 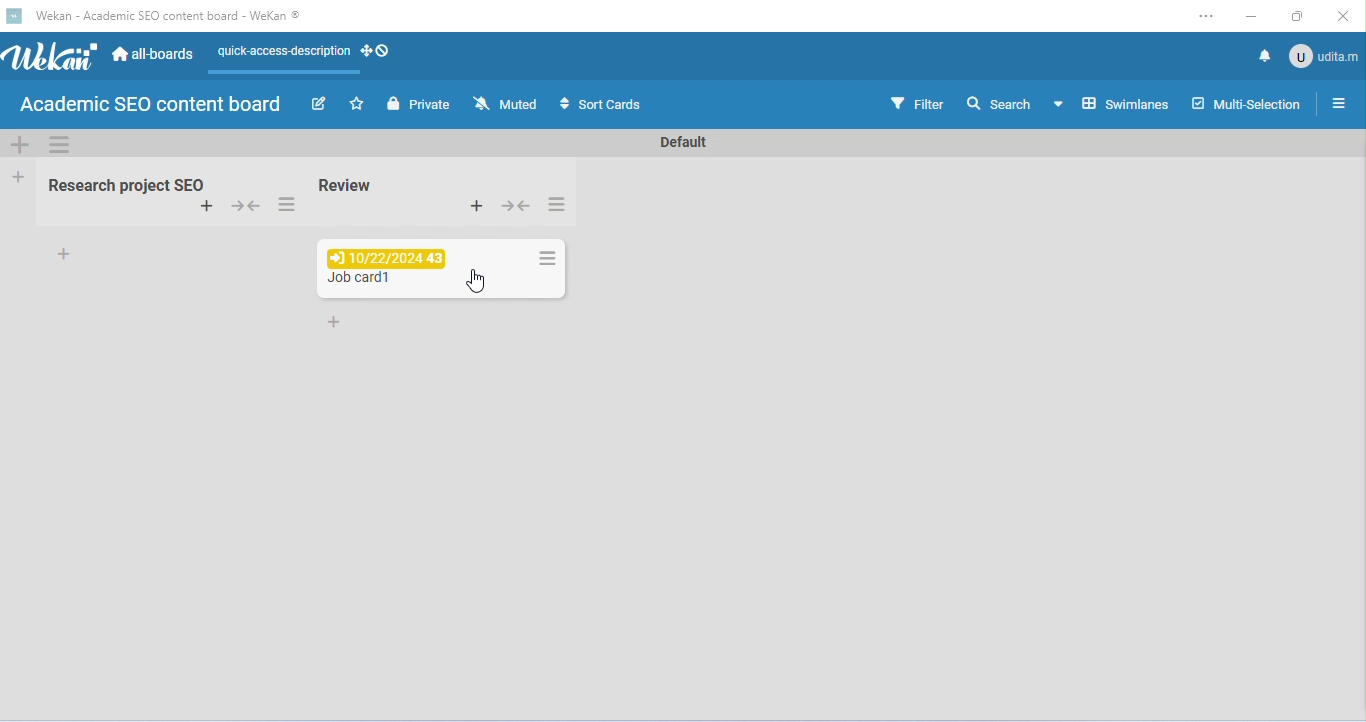 What do you see at coordinates (322, 106) in the screenshot?
I see `edit` at bounding box center [322, 106].